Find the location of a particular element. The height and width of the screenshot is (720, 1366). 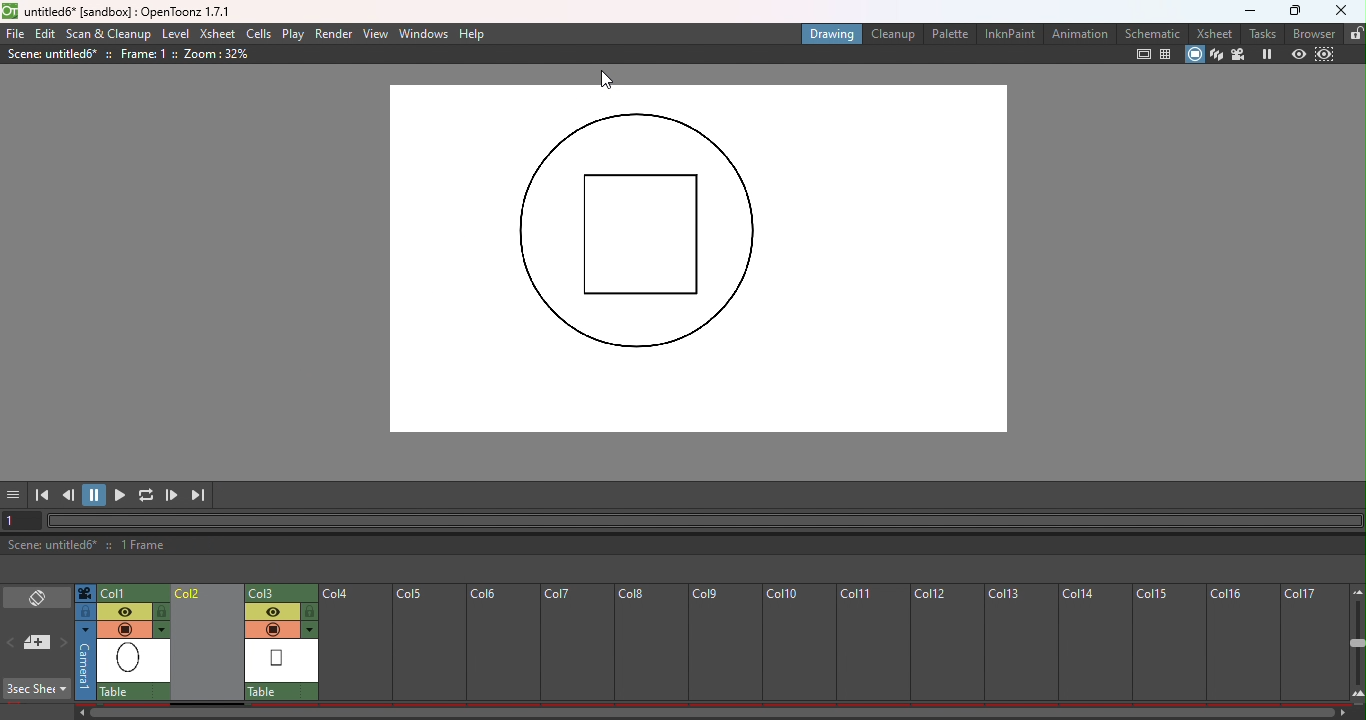

Next memo is located at coordinates (64, 643).